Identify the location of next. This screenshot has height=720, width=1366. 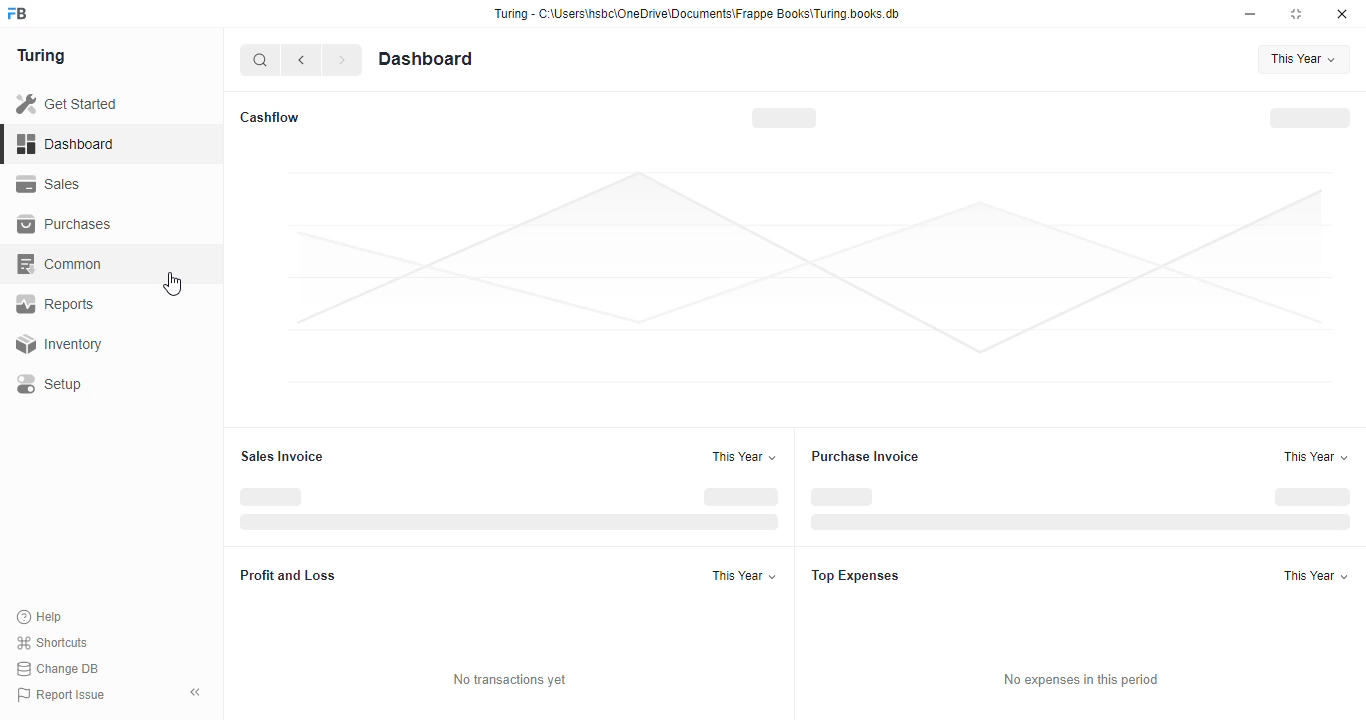
(344, 60).